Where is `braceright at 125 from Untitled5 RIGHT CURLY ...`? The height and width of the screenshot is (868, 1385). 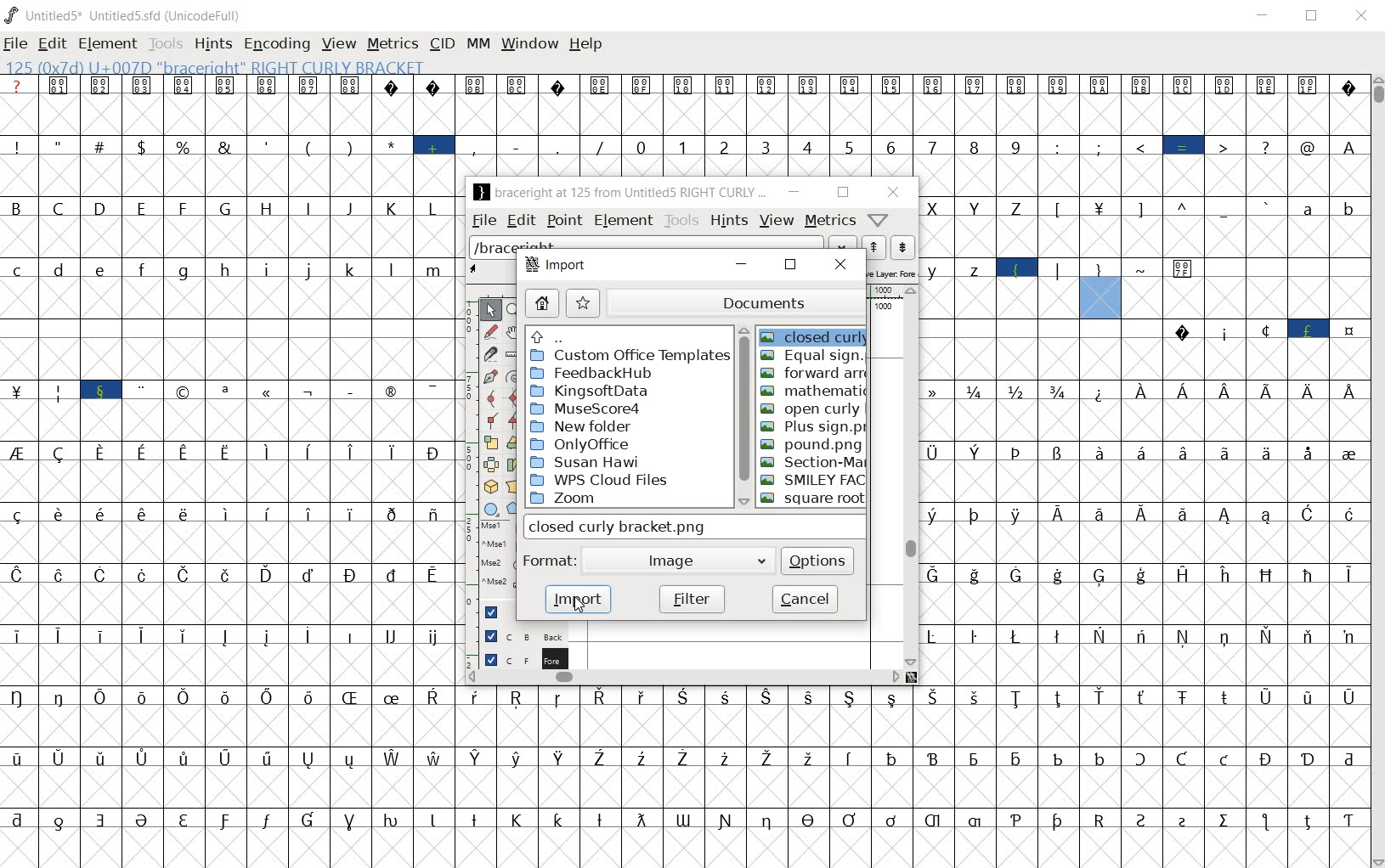
braceright at 125 from Untitled5 RIGHT CURLY ... is located at coordinates (619, 194).